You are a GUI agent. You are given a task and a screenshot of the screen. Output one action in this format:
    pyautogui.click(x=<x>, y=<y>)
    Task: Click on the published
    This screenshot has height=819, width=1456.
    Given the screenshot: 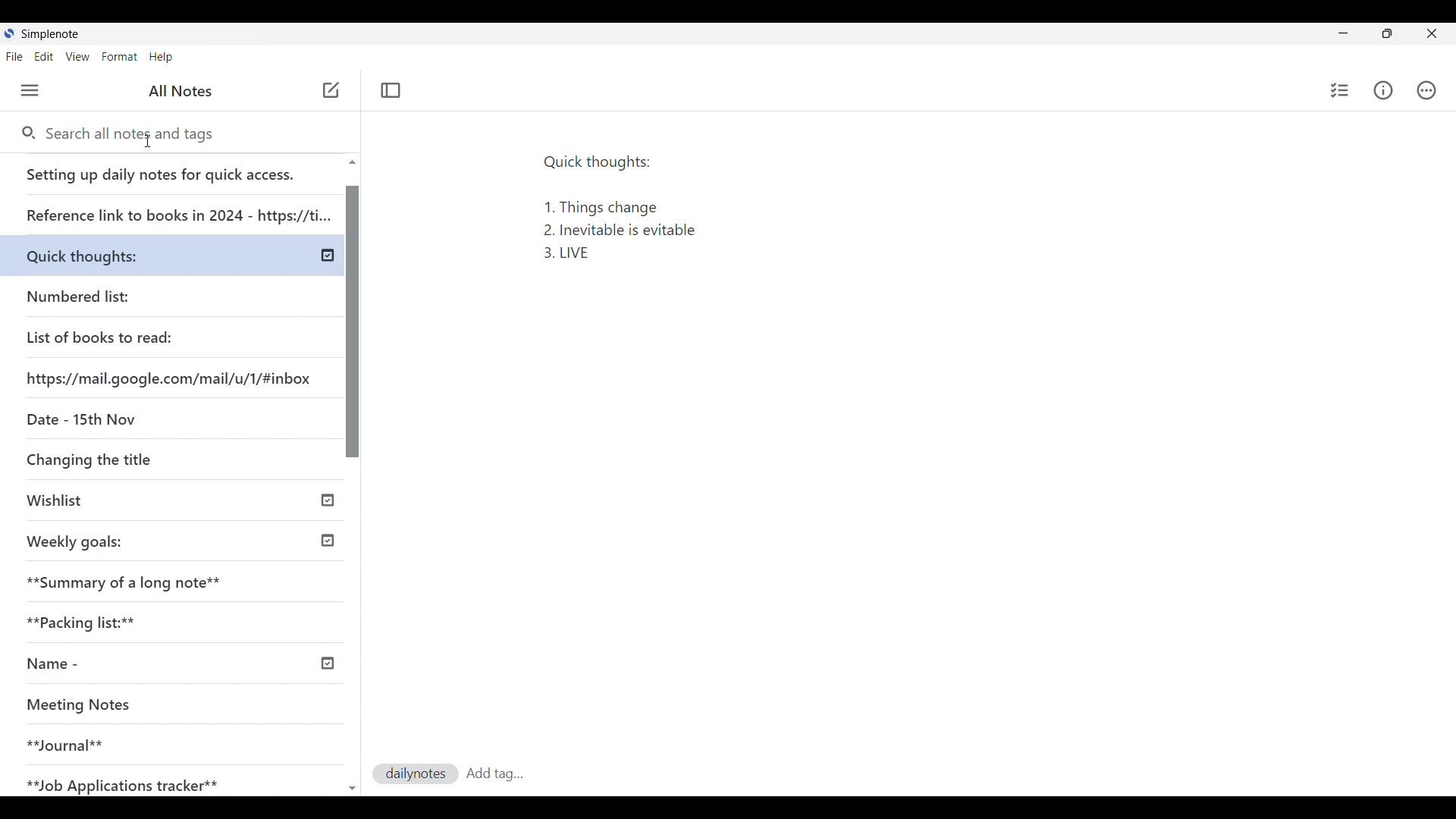 What is the action you would take?
    pyautogui.click(x=328, y=498)
    